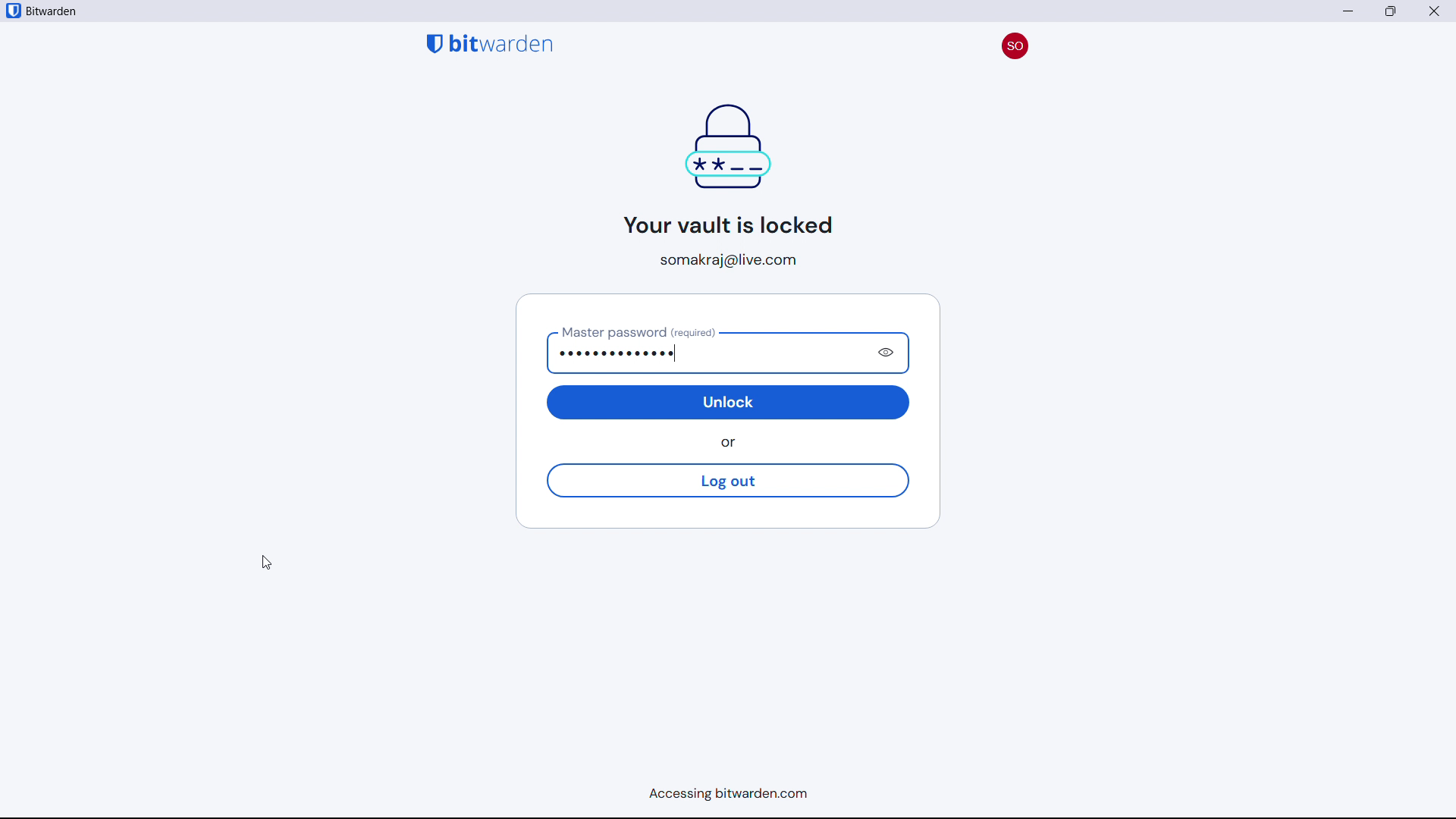 Image resolution: width=1456 pixels, height=819 pixels. Describe the element at coordinates (490, 42) in the screenshot. I see `bitwarden logo` at that location.